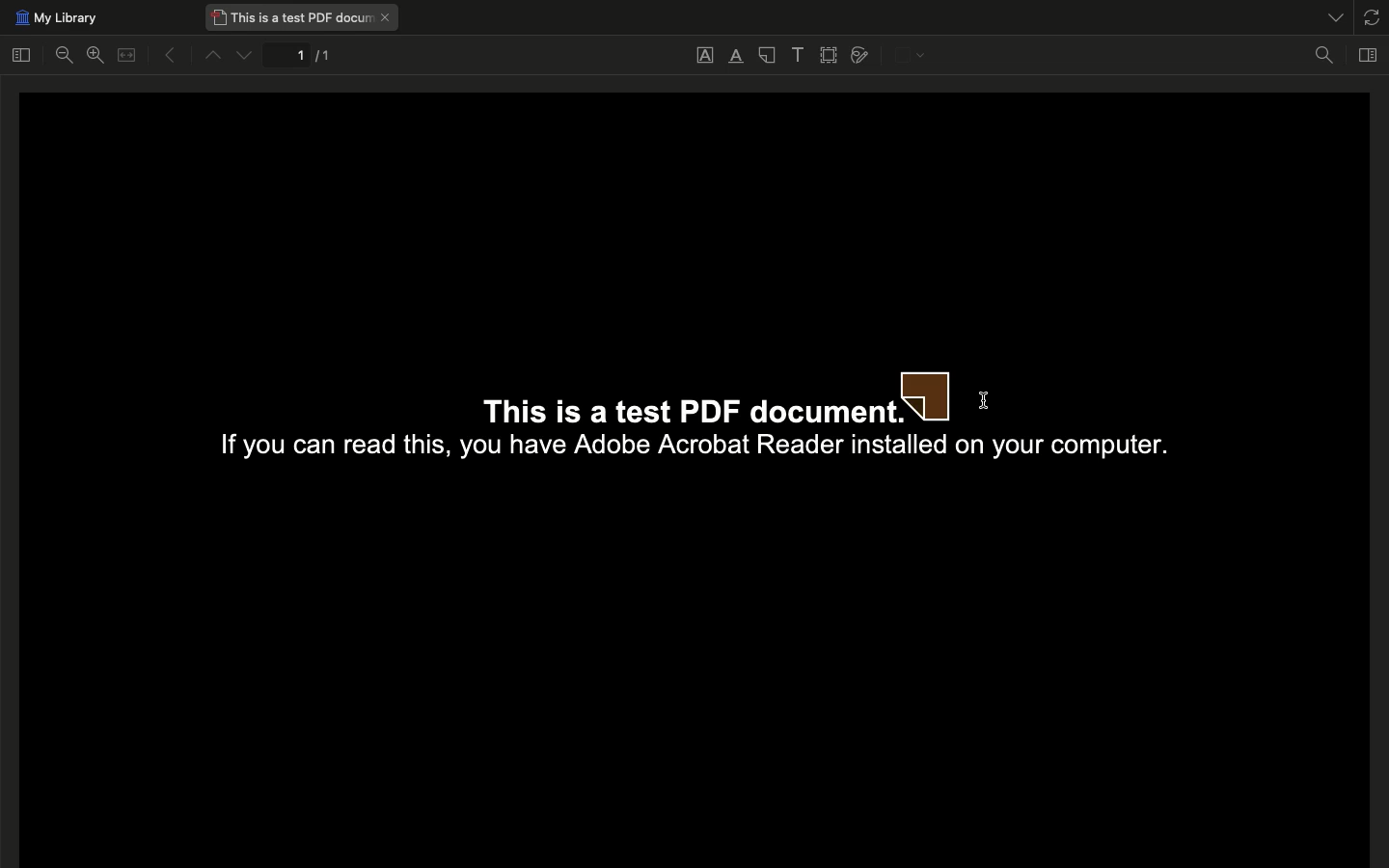 This screenshot has height=868, width=1389. What do you see at coordinates (163, 56) in the screenshot?
I see `Previous` at bounding box center [163, 56].